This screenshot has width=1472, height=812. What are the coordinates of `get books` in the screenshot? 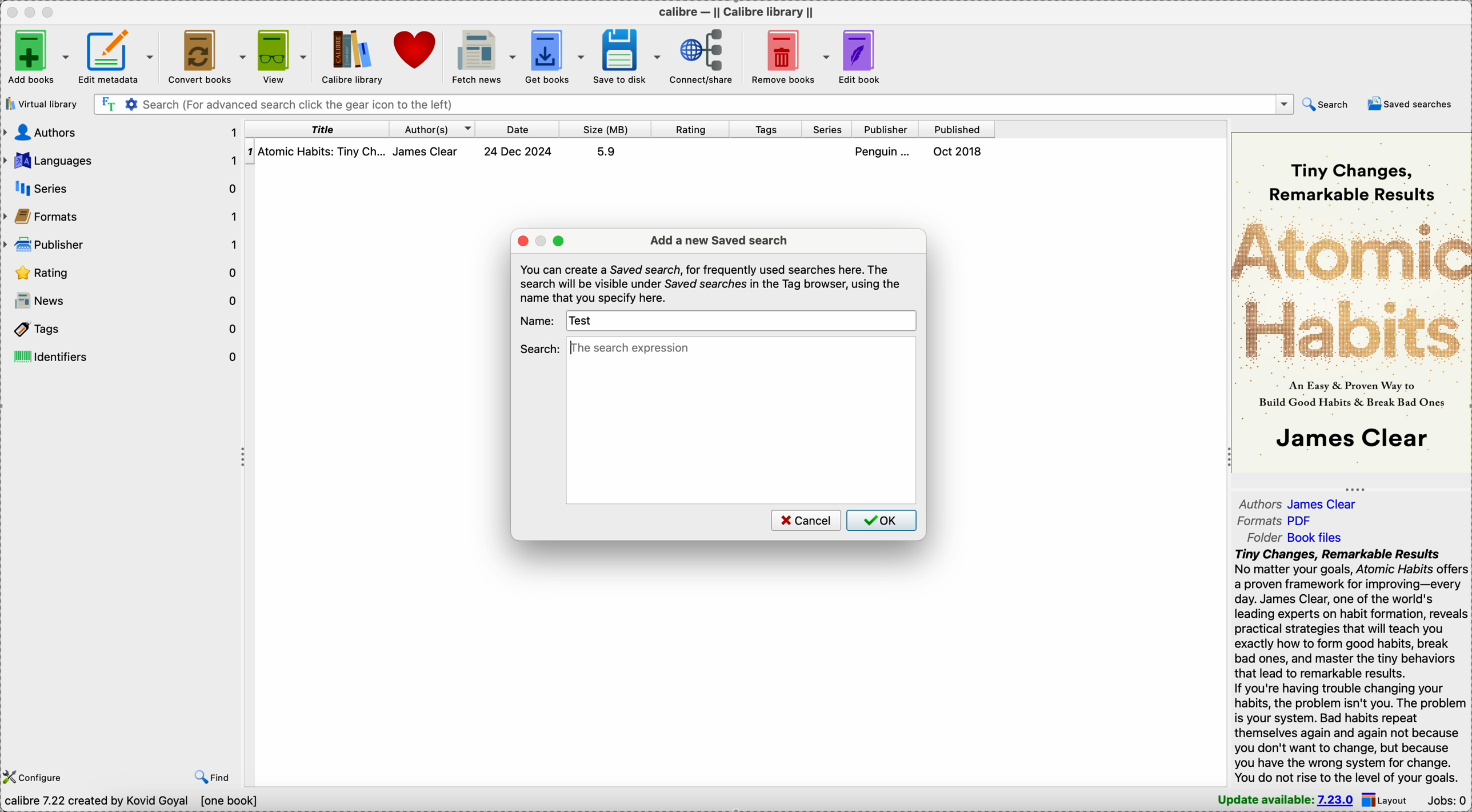 It's located at (557, 55).